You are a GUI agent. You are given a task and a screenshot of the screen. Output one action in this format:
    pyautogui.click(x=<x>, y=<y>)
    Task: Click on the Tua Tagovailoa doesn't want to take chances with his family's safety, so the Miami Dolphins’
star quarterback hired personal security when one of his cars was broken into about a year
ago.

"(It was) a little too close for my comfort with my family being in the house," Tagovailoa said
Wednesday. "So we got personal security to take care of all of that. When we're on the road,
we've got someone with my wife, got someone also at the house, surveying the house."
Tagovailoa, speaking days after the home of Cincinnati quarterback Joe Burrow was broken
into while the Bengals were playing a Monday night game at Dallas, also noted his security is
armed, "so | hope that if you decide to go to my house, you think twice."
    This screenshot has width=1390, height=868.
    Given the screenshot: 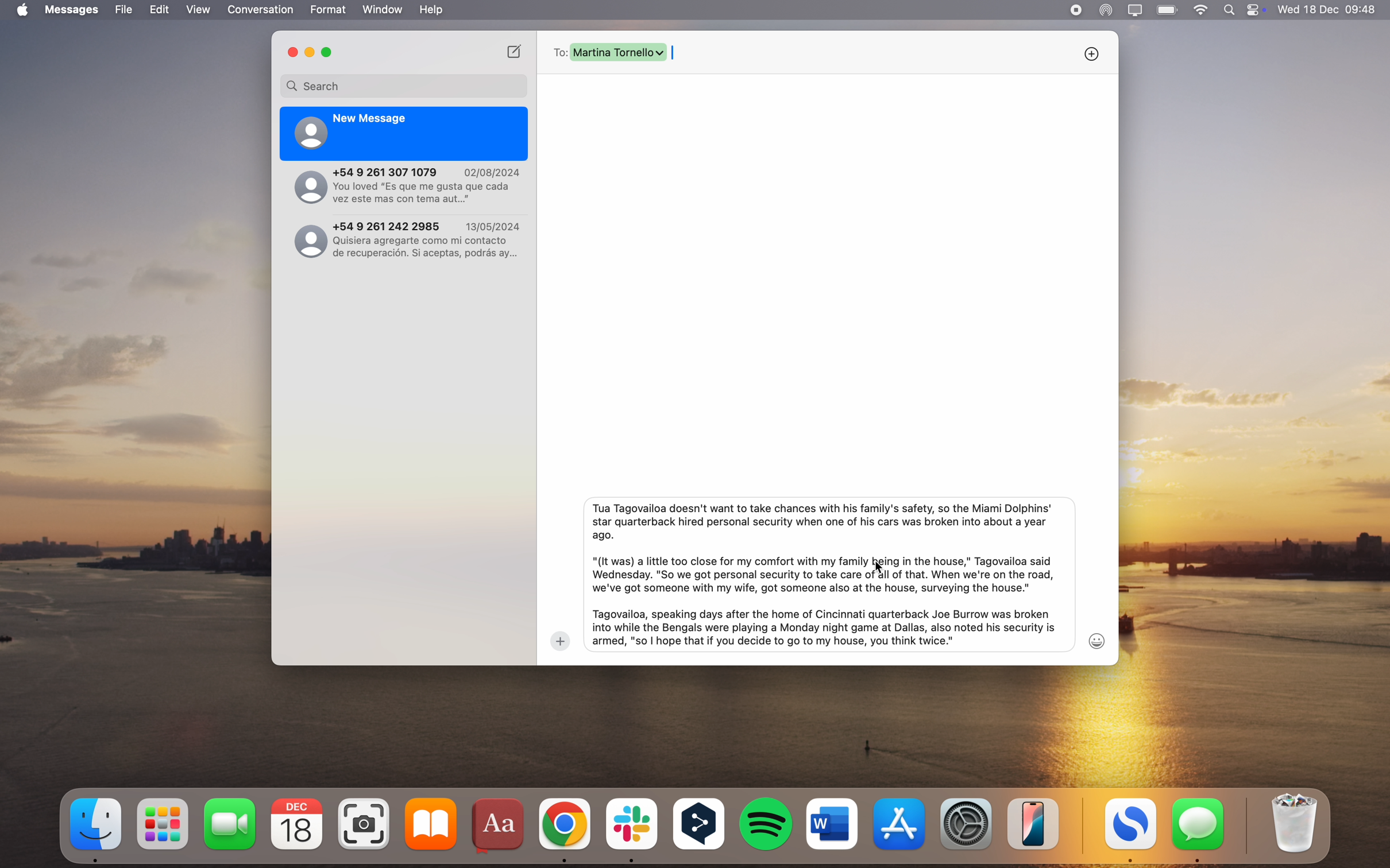 What is the action you would take?
    pyautogui.click(x=820, y=574)
    